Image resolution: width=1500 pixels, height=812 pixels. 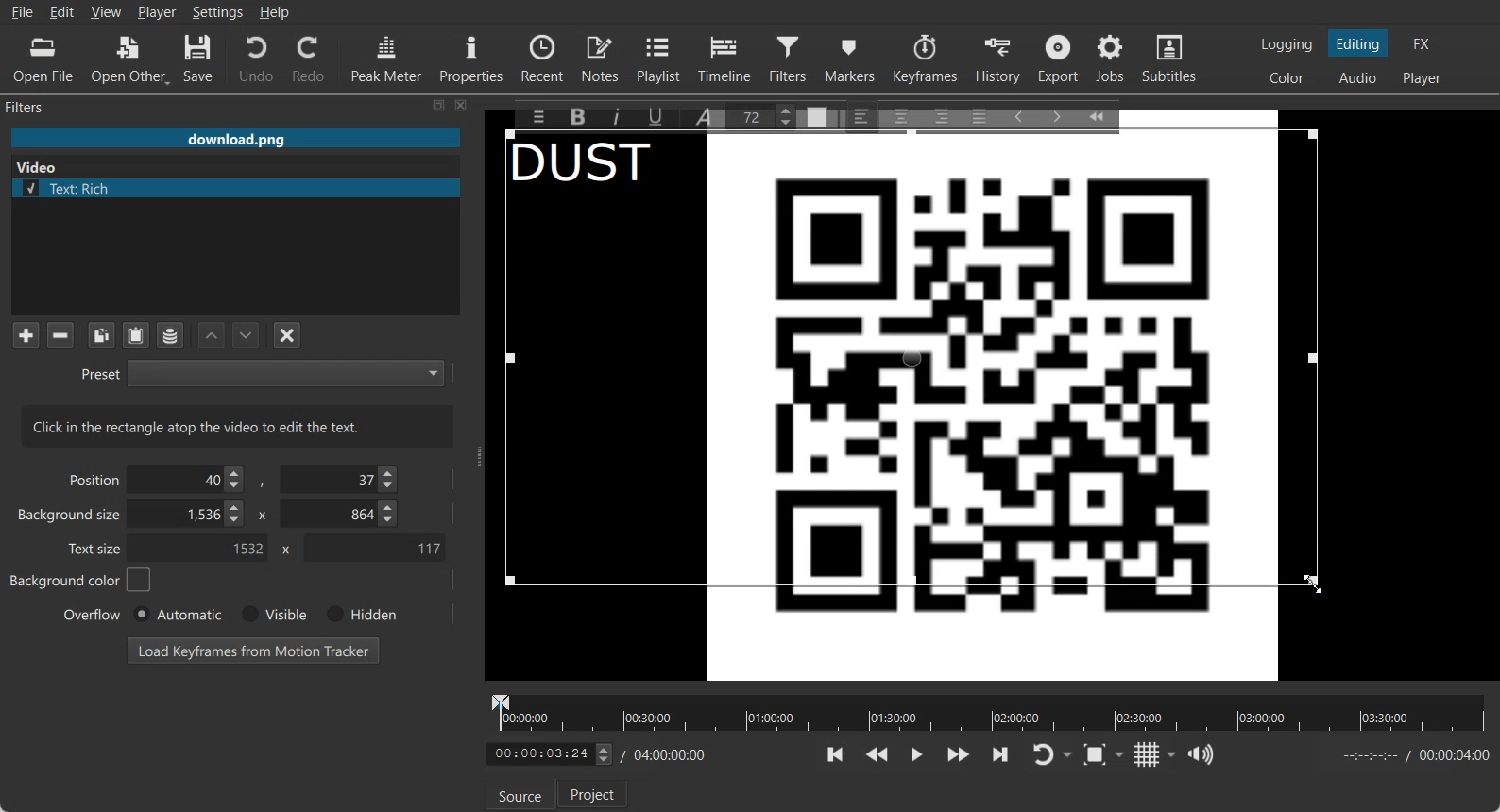 What do you see at coordinates (130, 59) in the screenshot?
I see `Open Other` at bounding box center [130, 59].